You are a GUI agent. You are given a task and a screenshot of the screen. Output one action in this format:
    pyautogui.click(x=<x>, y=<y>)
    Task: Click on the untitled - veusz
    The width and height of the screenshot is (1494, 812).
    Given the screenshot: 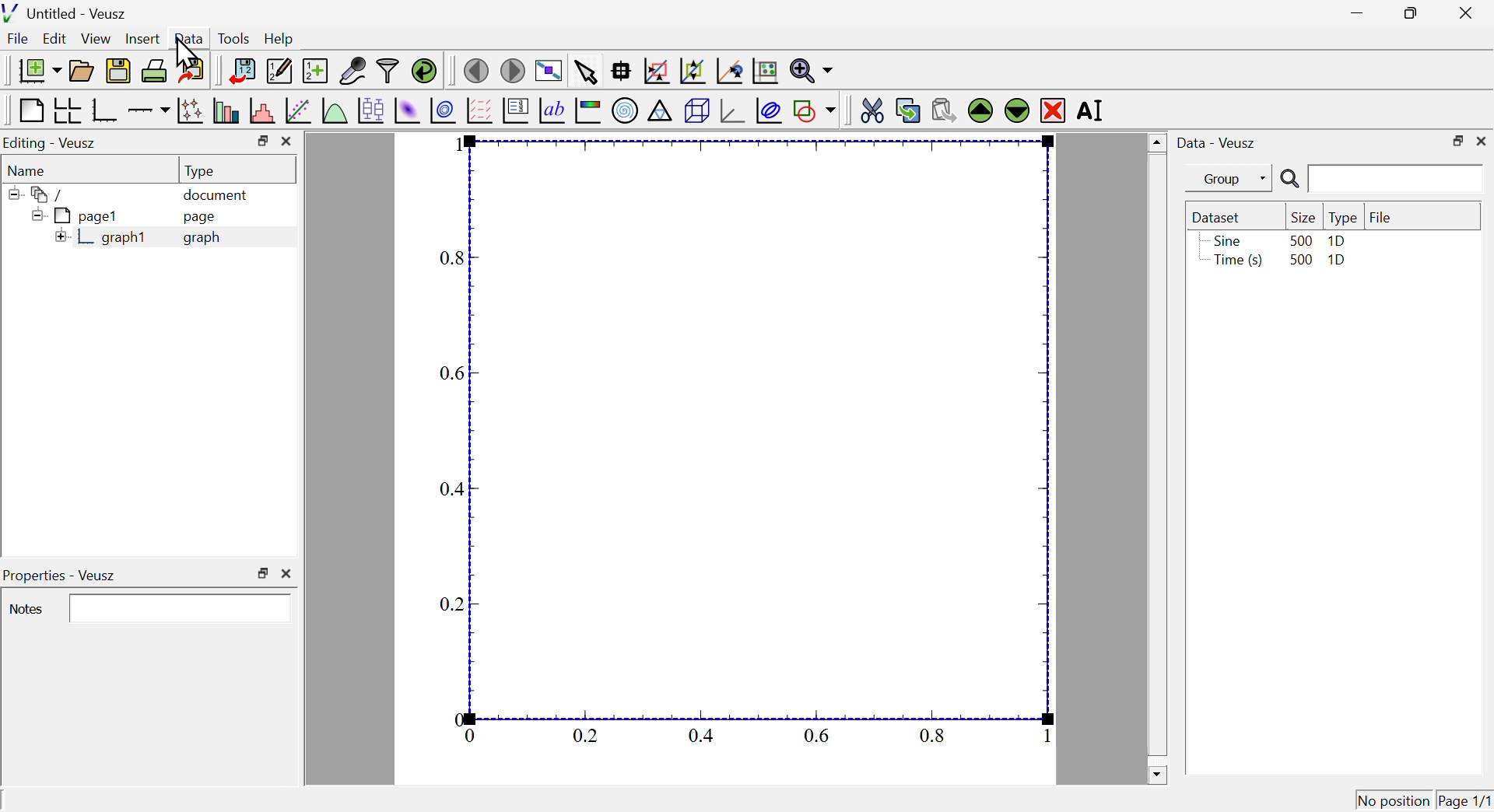 What is the action you would take?
    pyautogui.click(x=67, y=12)
    